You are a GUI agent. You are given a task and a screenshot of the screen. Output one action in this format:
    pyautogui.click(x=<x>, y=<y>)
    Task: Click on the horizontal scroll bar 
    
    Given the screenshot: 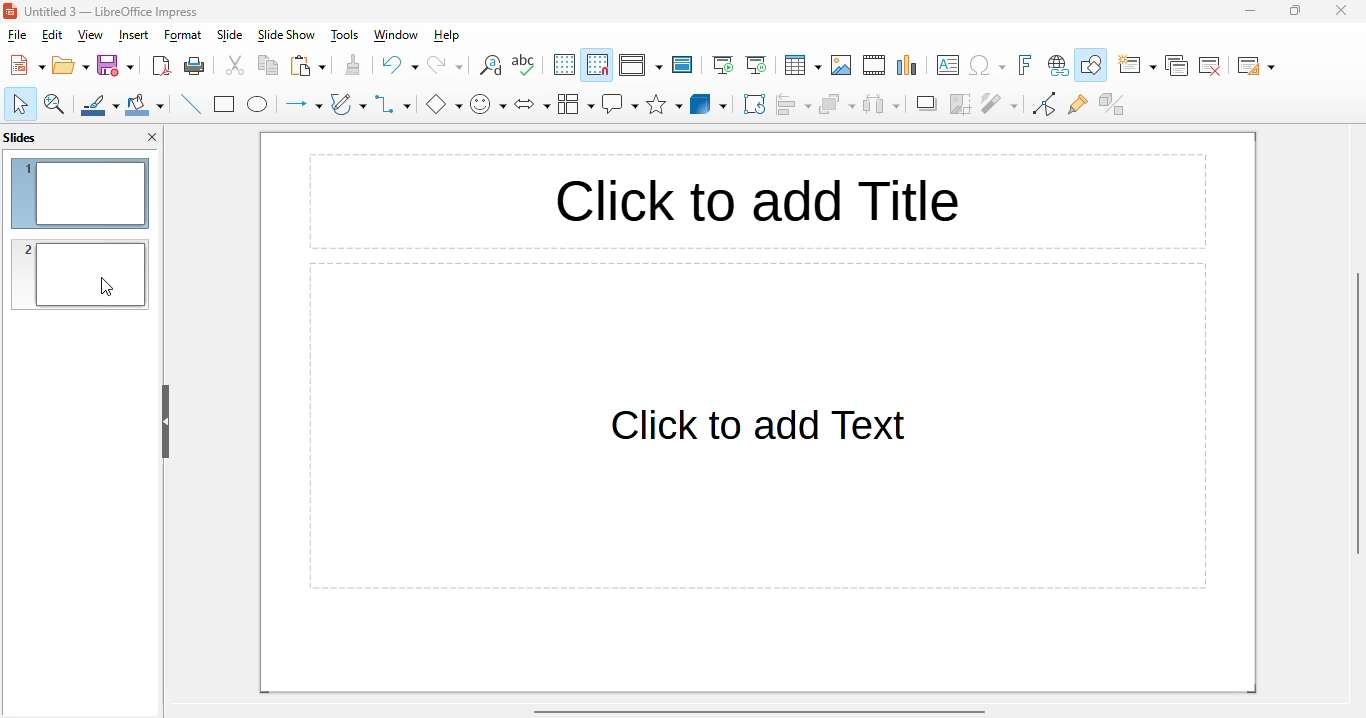 What is the action you would take?
    pyautogui.click(x=757, y=710)
    